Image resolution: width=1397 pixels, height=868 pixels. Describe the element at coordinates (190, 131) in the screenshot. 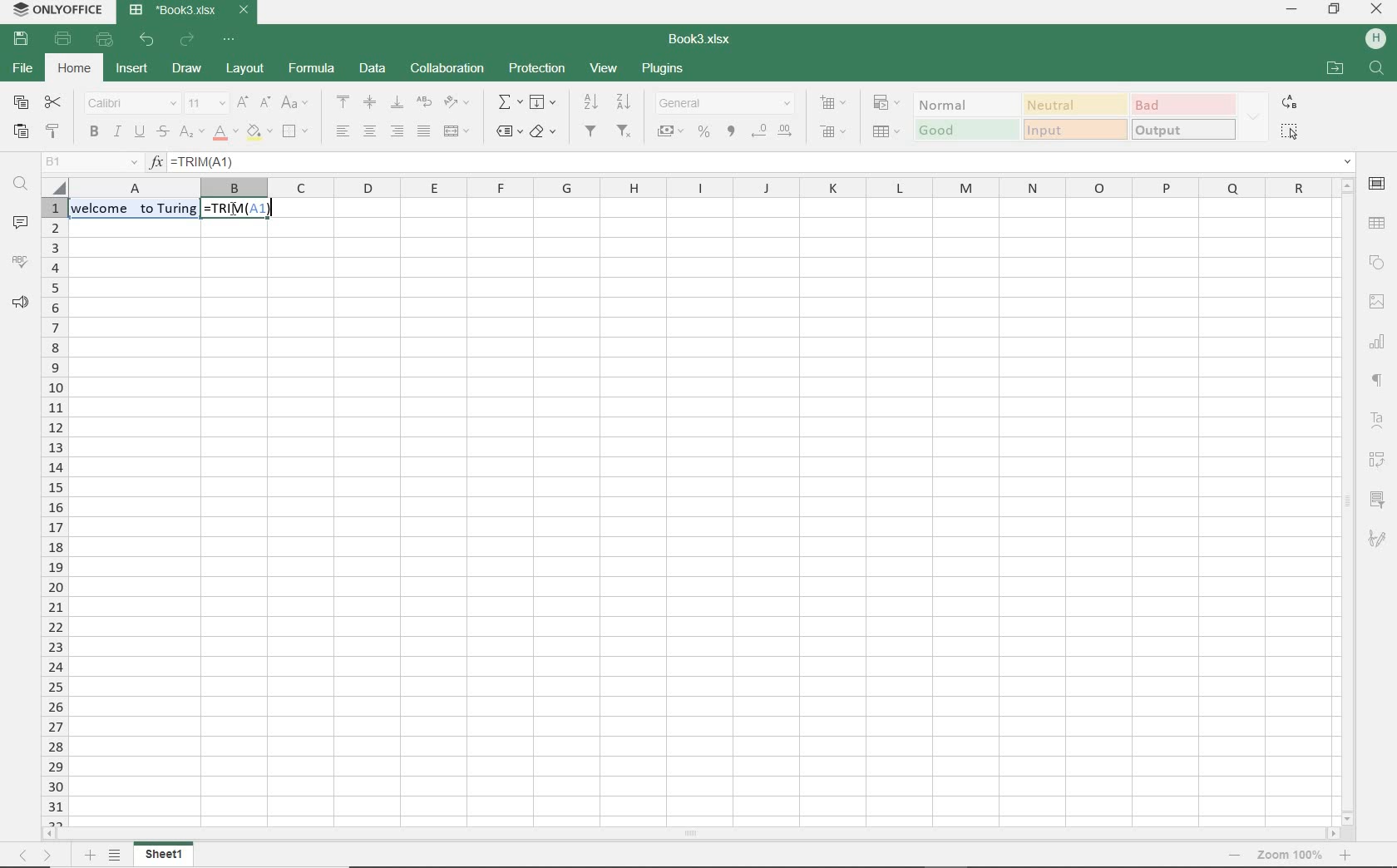

I see `subscript/superscript` at that location.